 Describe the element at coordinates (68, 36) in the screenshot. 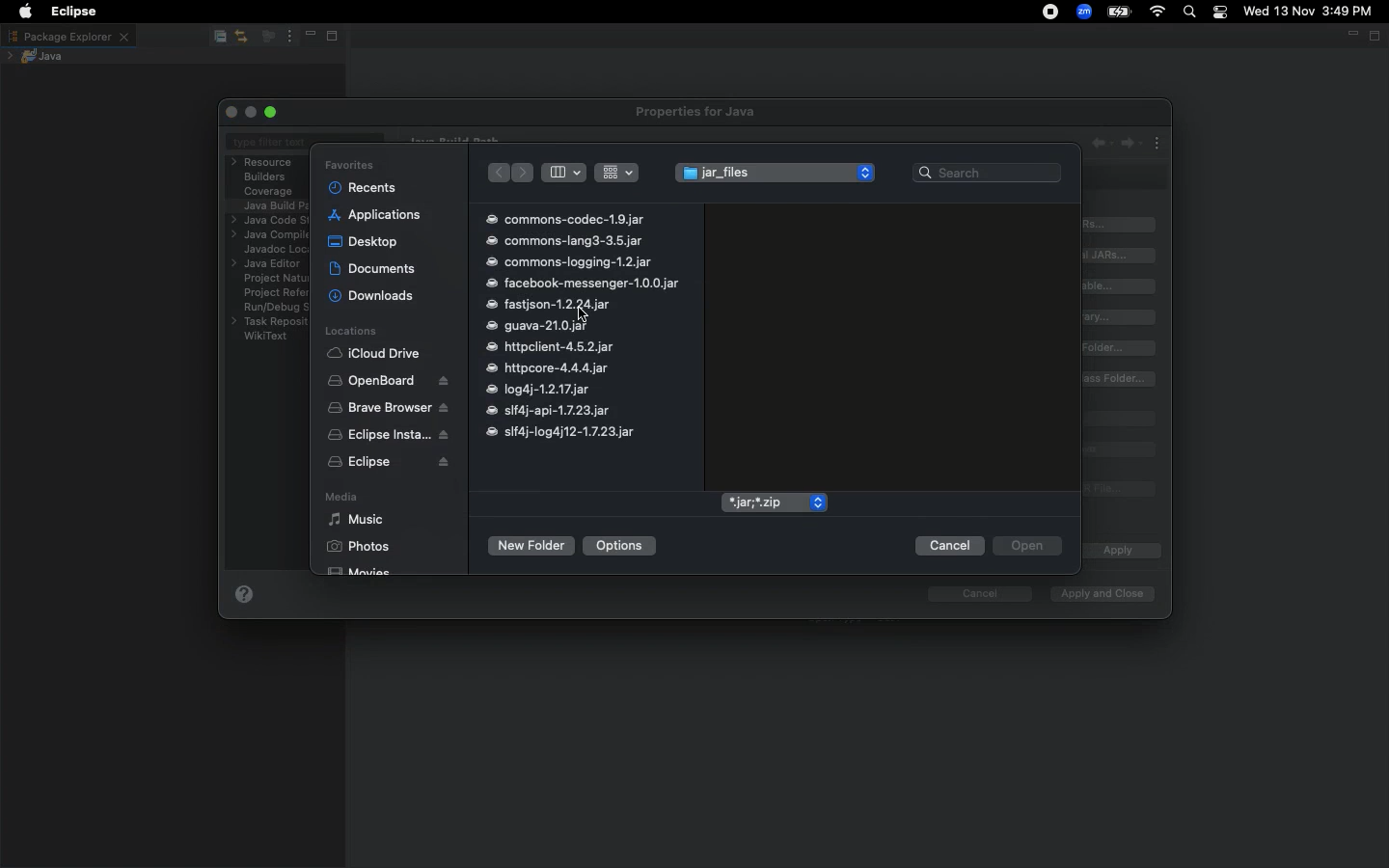

I see `Package explorer` at that location.